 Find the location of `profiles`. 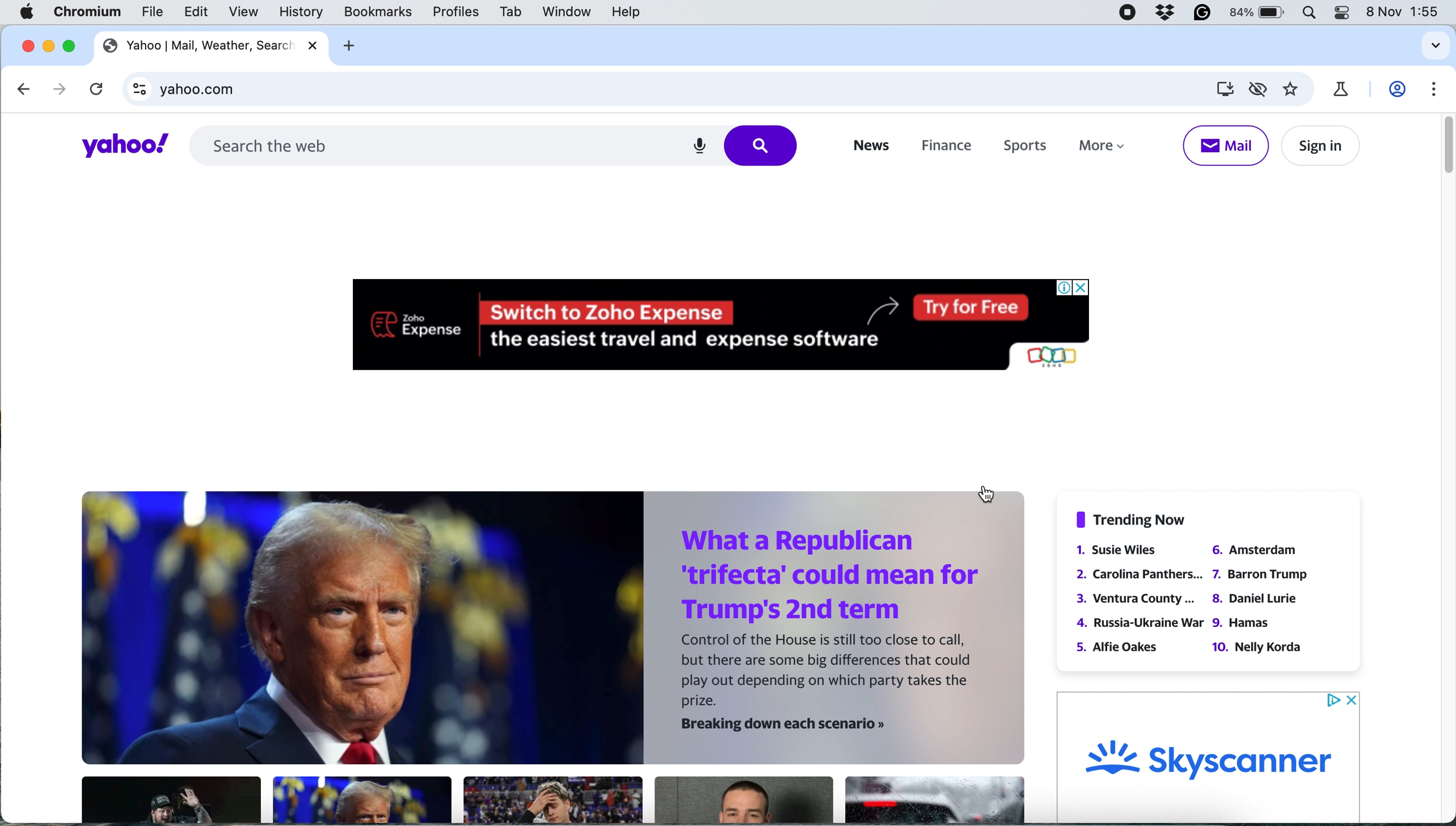

profiles is located at coordinates (459, 12).